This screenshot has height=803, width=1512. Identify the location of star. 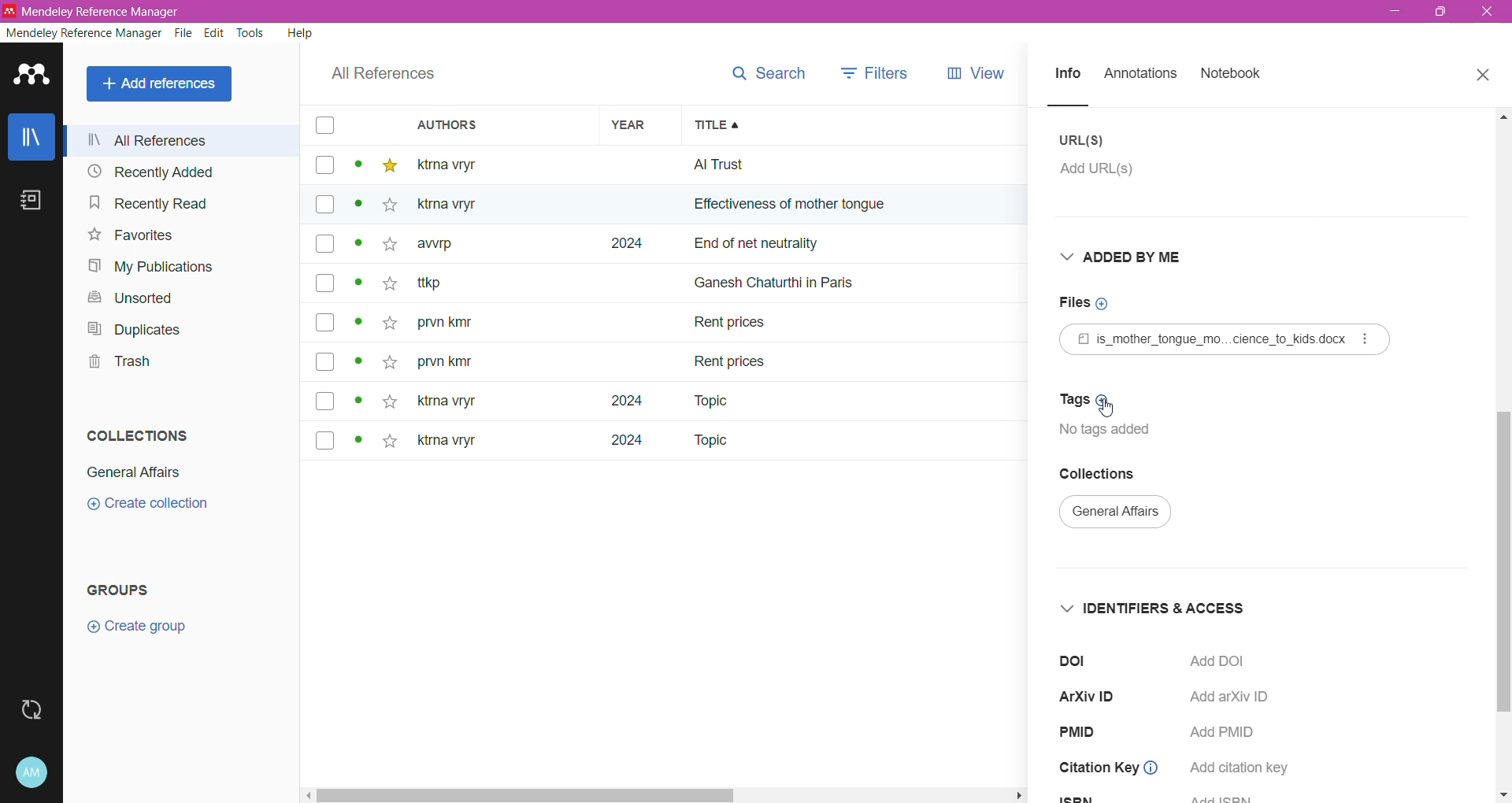
(387, 324).